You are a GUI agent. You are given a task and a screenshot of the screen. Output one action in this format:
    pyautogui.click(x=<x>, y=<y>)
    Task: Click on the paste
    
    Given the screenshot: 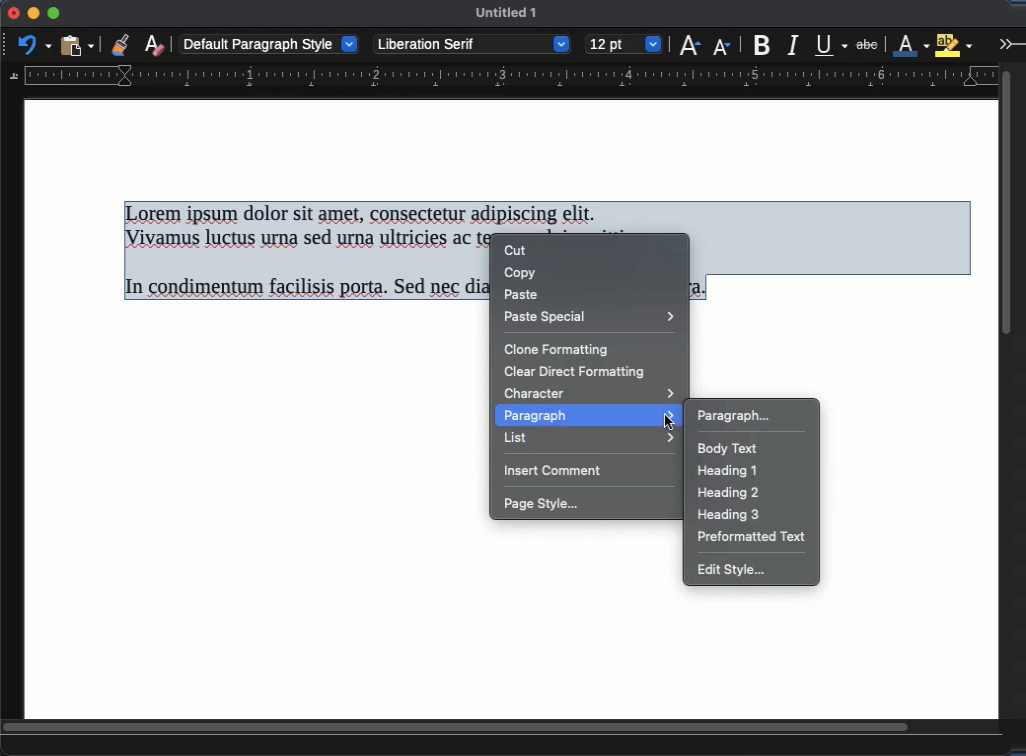 What is the action you would take?
    pyautogui.click(x=79, y=44)
    